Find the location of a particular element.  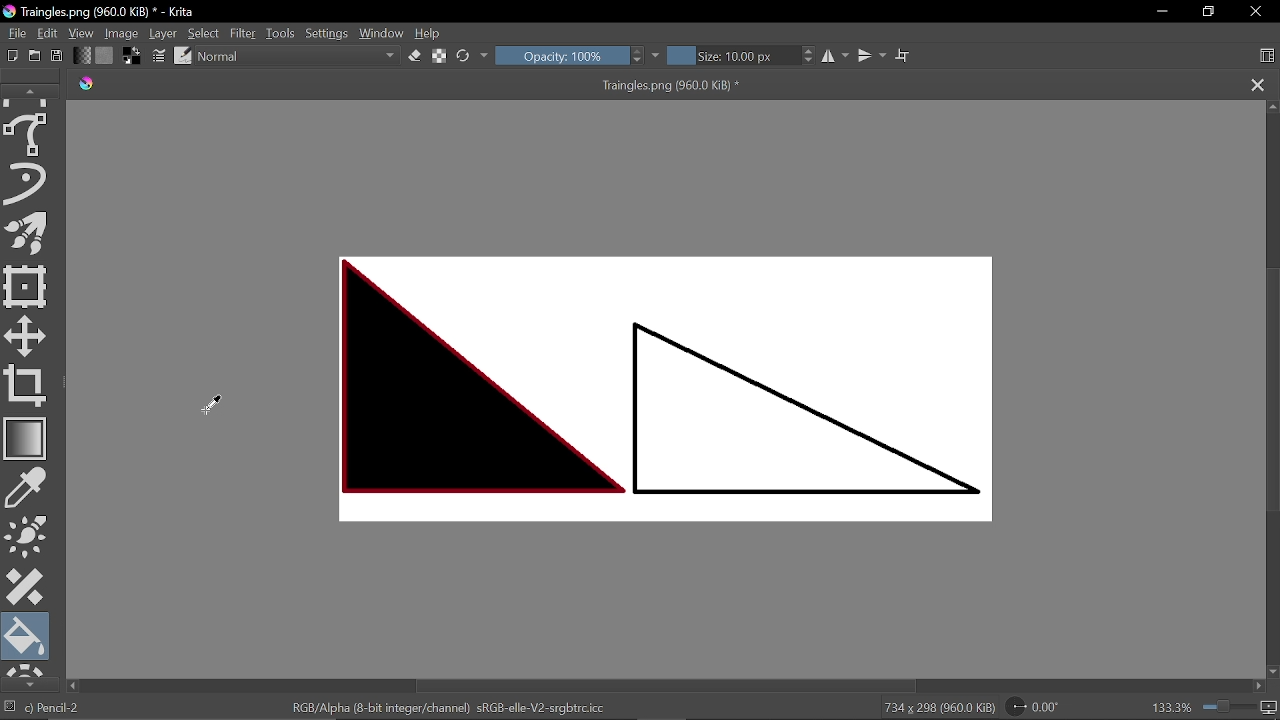

Open existing document is located at coordinates (34, 56).